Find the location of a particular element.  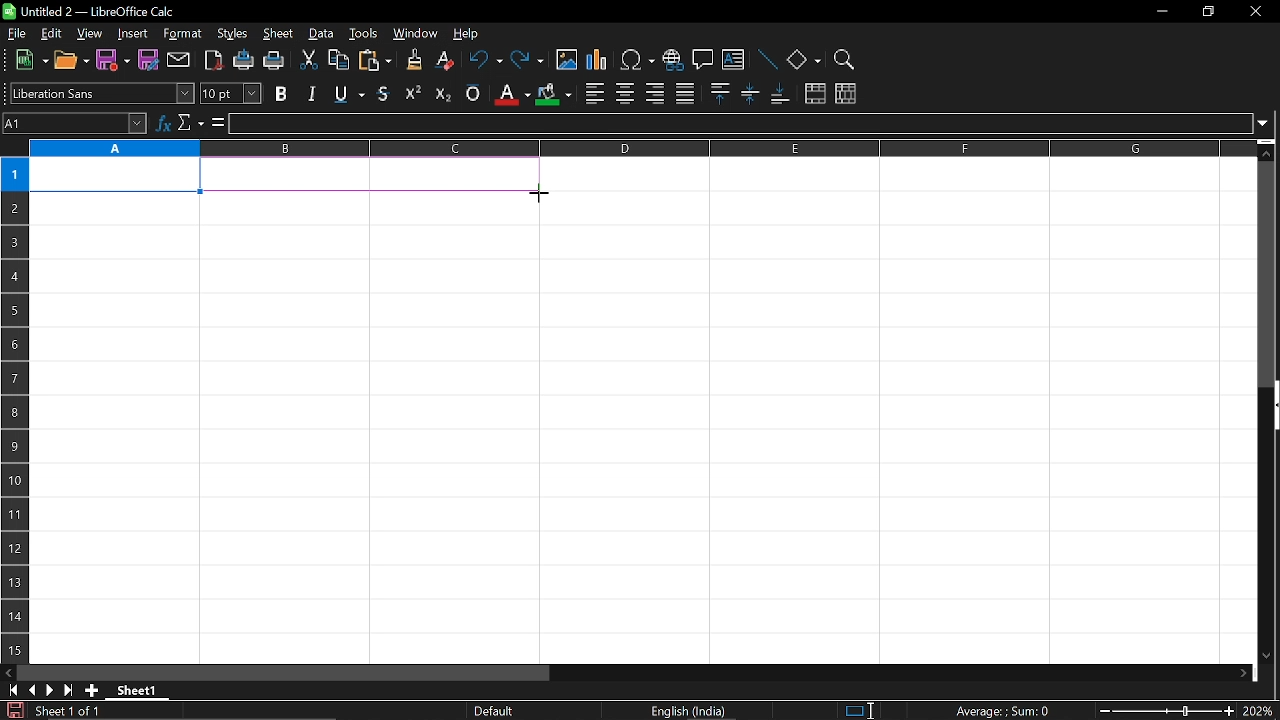

overline is located at coordinates (473, 94).